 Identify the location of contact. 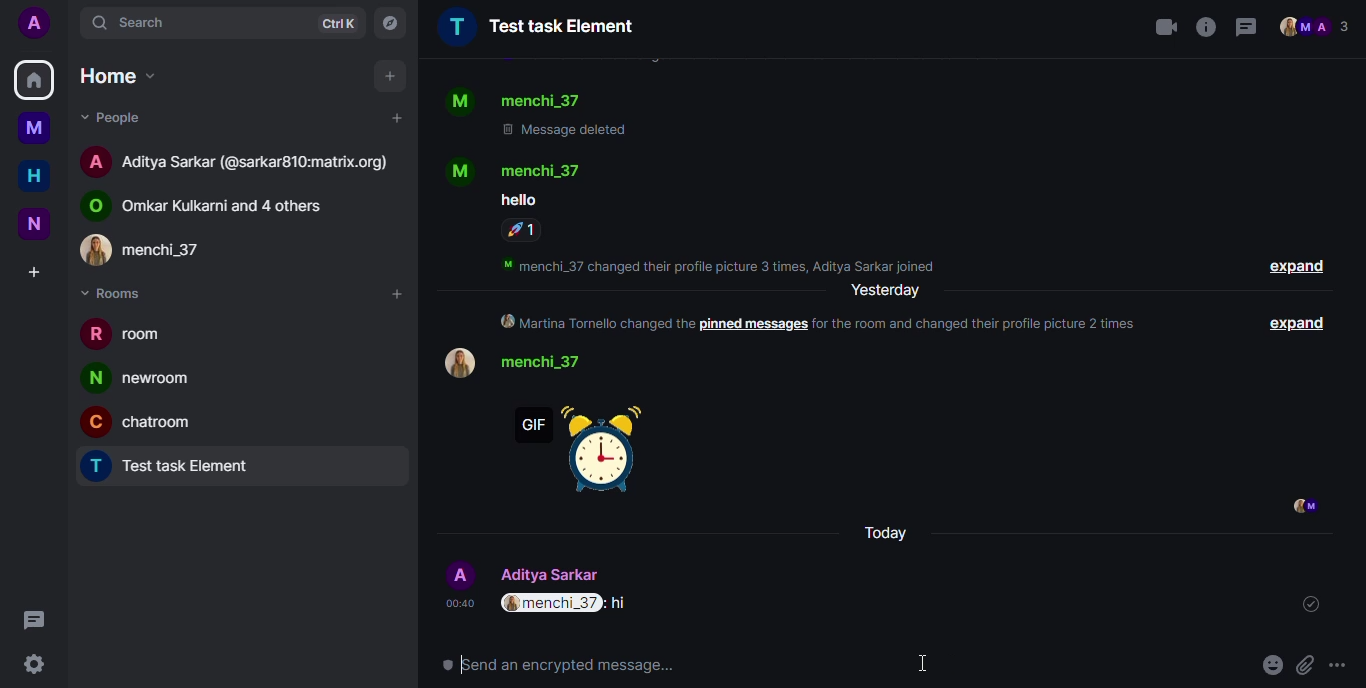
(567, 368).